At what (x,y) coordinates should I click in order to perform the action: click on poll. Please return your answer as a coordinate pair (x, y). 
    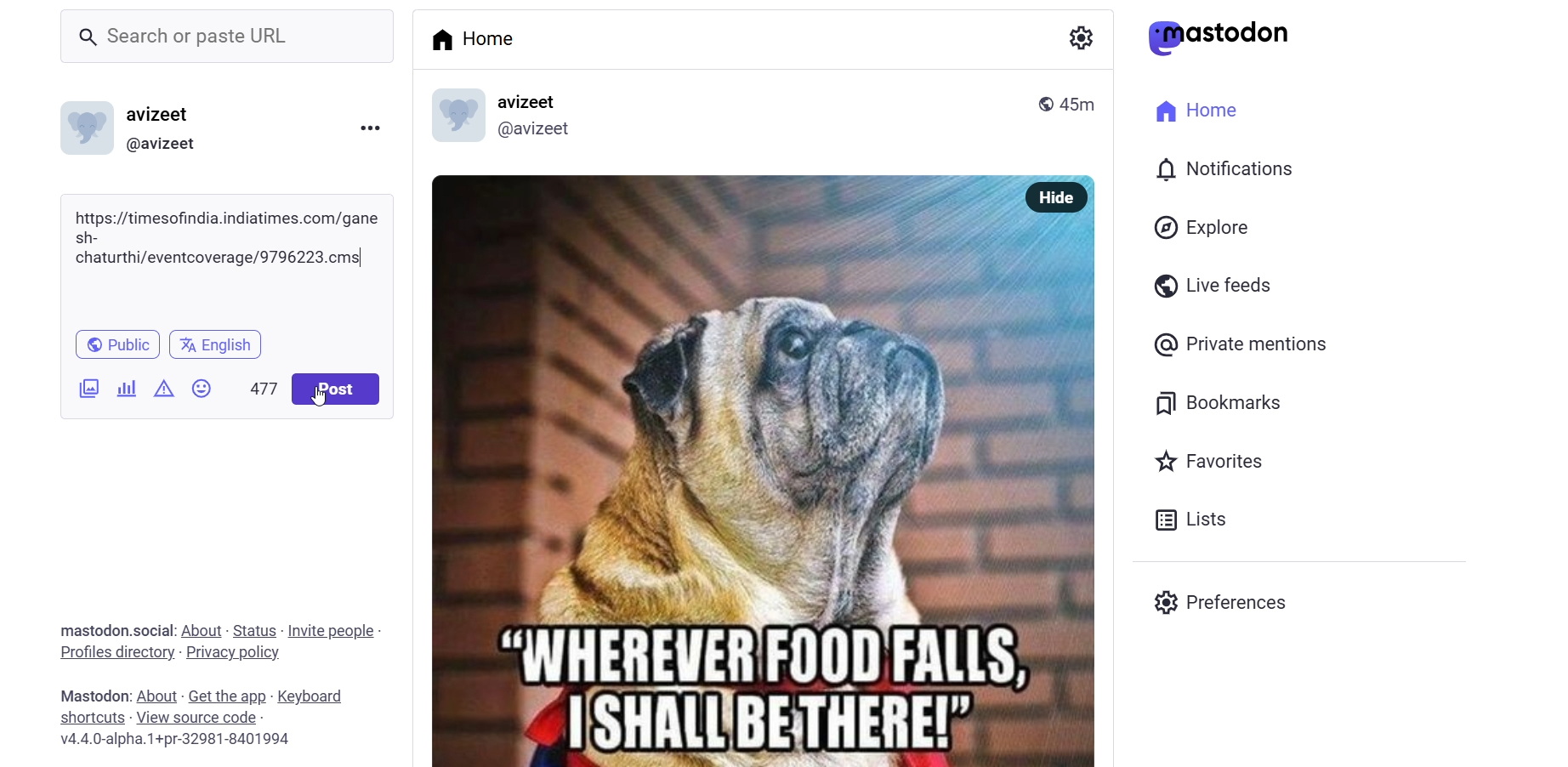
    Looking at the image, I should click on (125, 389).